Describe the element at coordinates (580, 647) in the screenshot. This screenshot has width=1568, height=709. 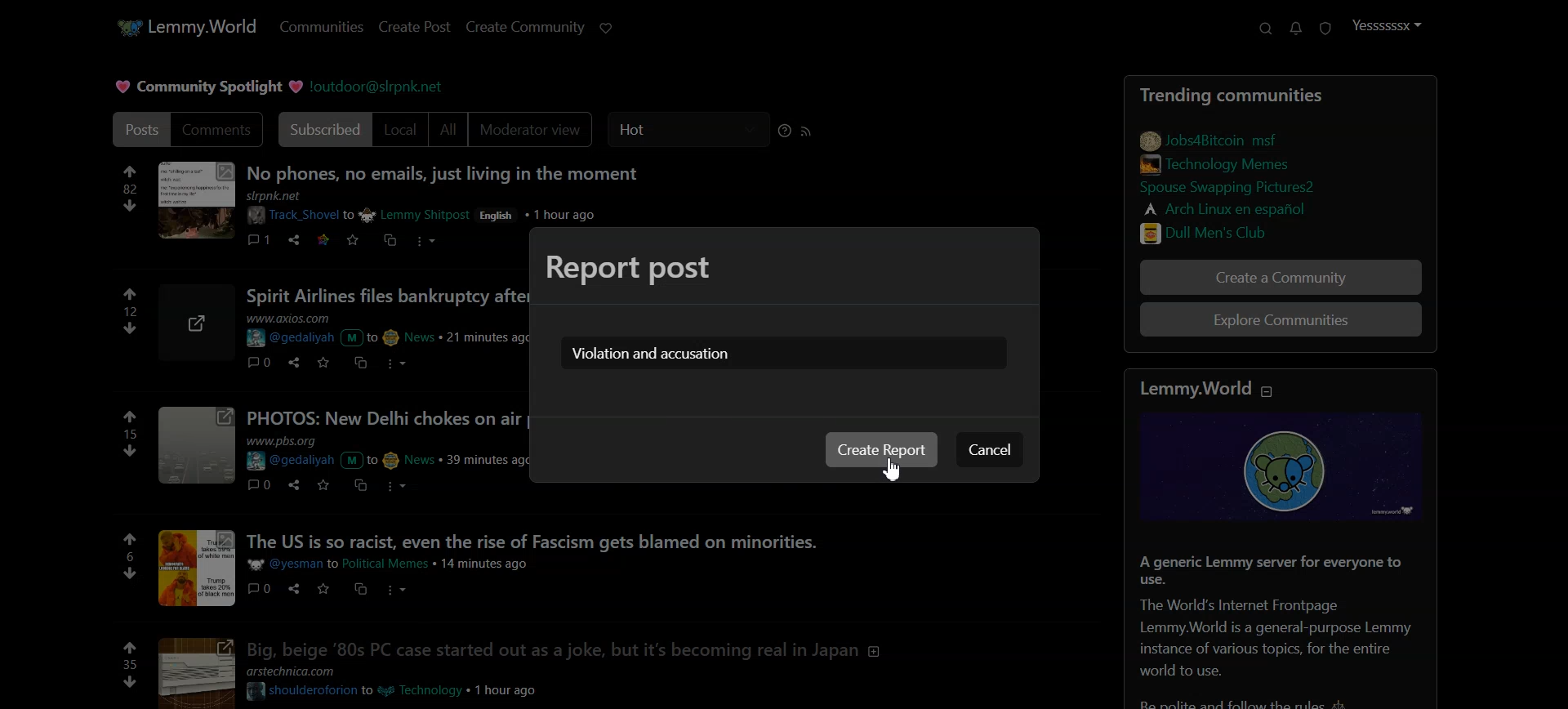
I see `post` at that location.